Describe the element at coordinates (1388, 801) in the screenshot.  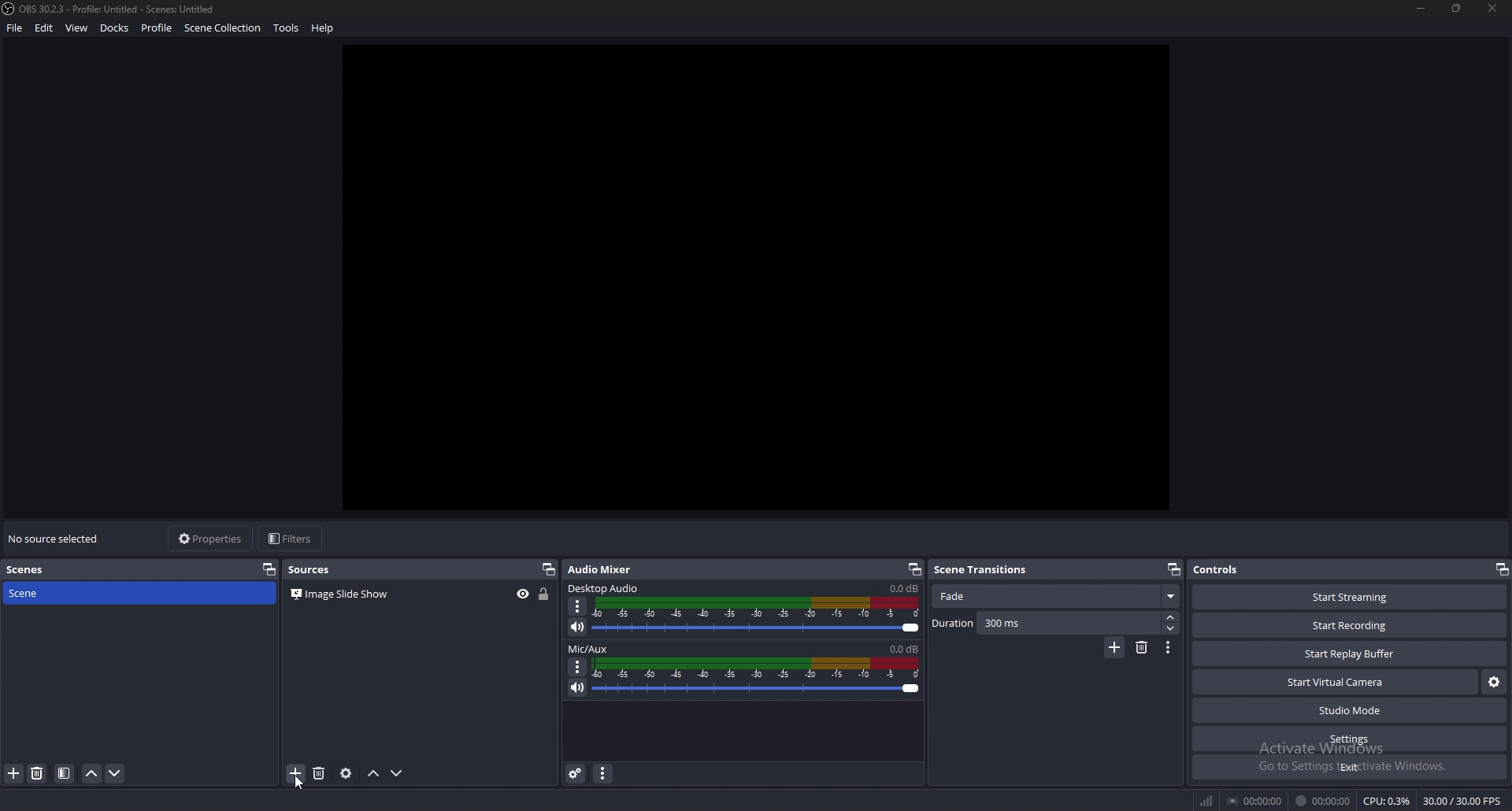
I see `cpu` at that location.